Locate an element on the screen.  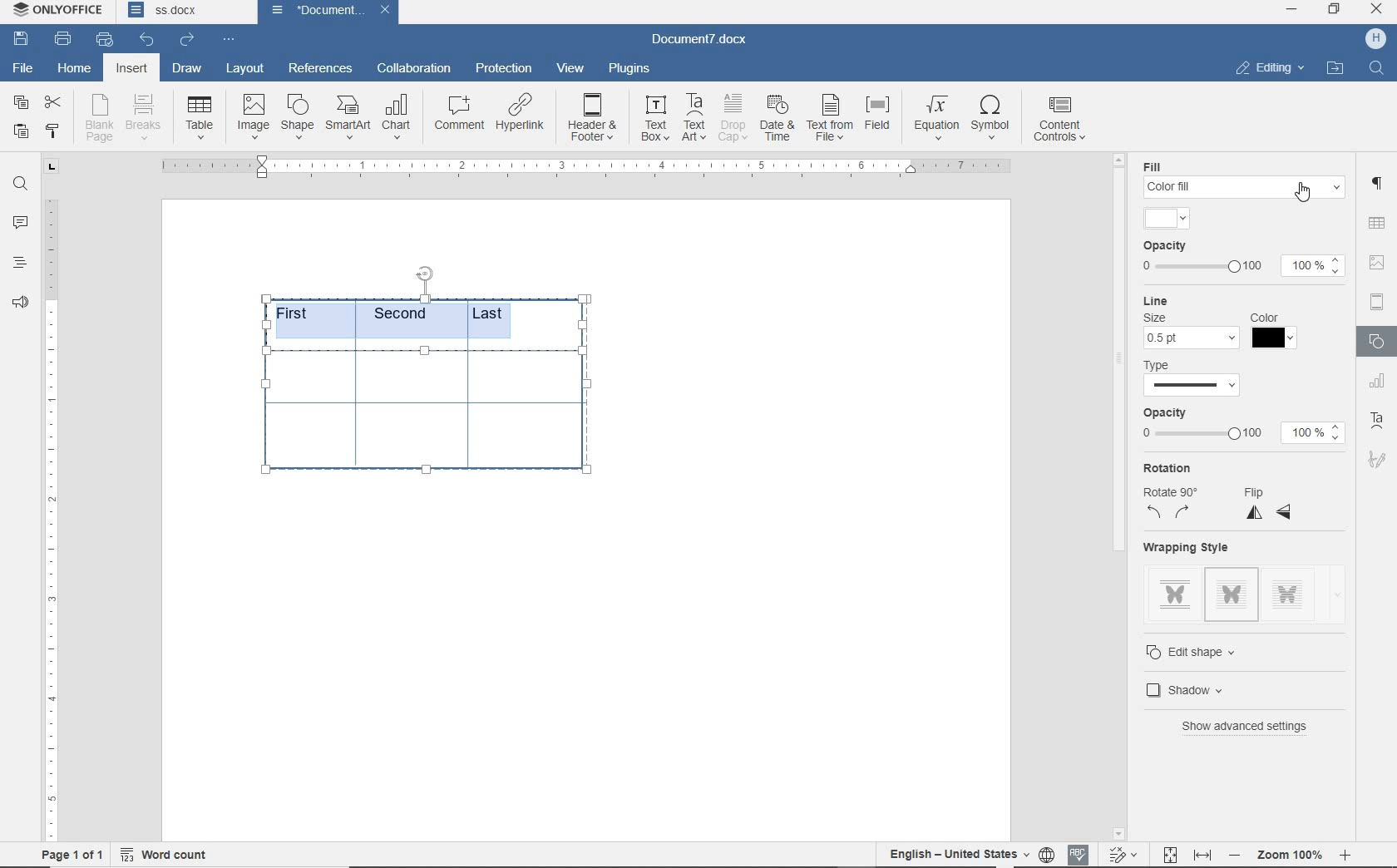
shadow is located at coordinates (1199, 688).